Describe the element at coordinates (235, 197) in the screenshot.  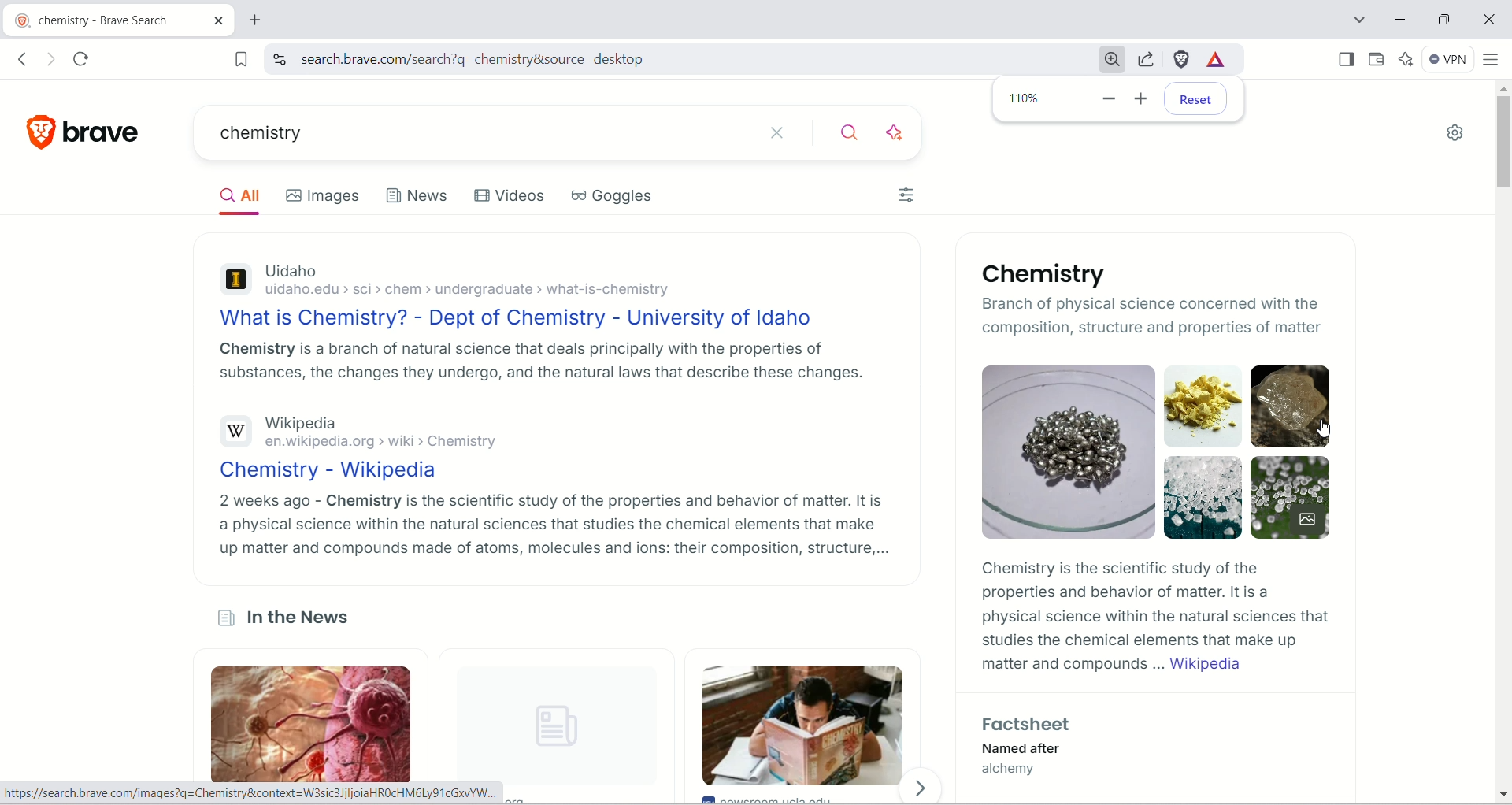
I see `All` at that location.